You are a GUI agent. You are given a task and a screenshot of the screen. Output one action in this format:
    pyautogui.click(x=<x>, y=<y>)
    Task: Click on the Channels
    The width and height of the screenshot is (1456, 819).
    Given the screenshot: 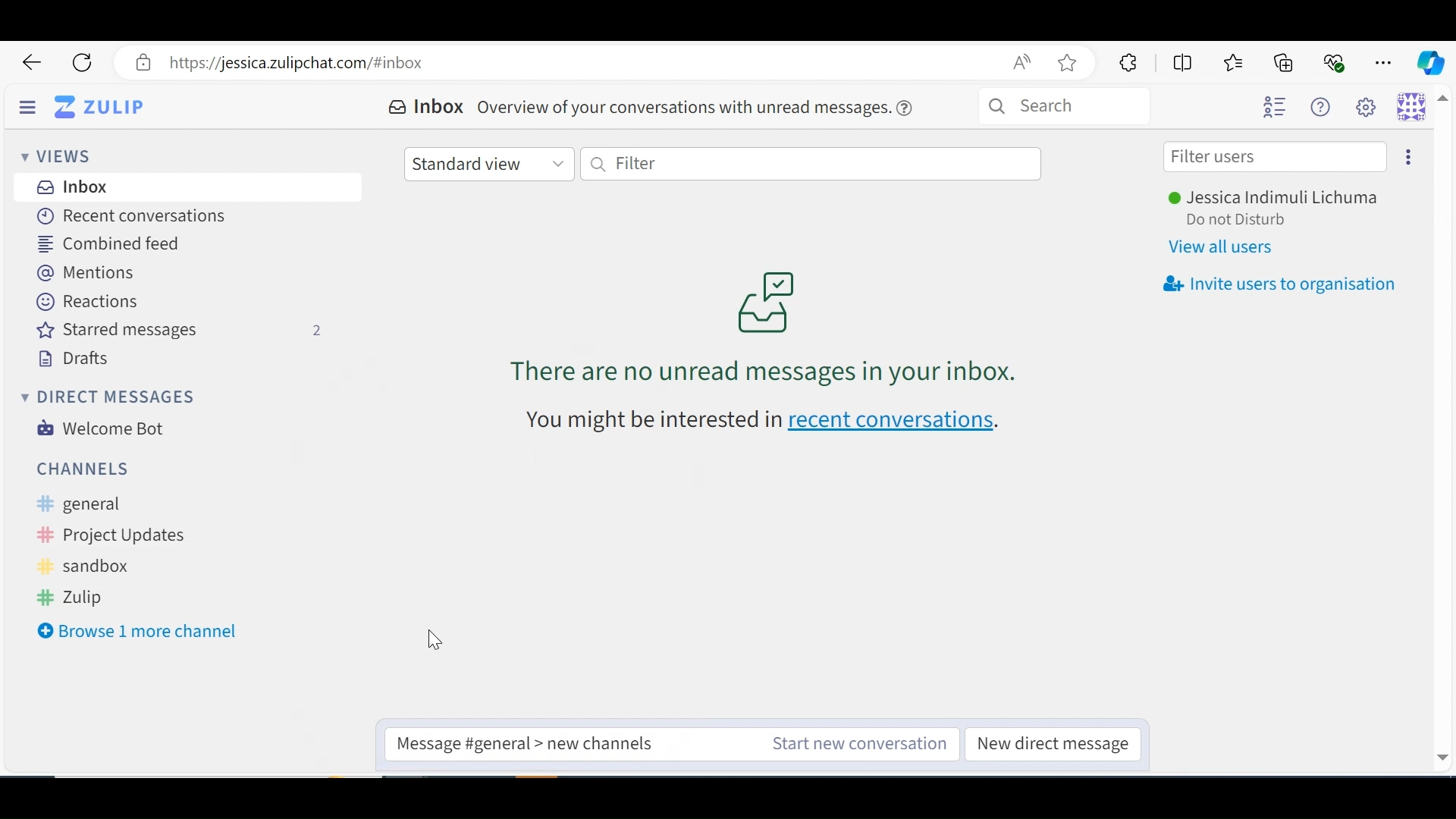 What is the action you would take?
    pyautogui.click(x=89, y=469)
    